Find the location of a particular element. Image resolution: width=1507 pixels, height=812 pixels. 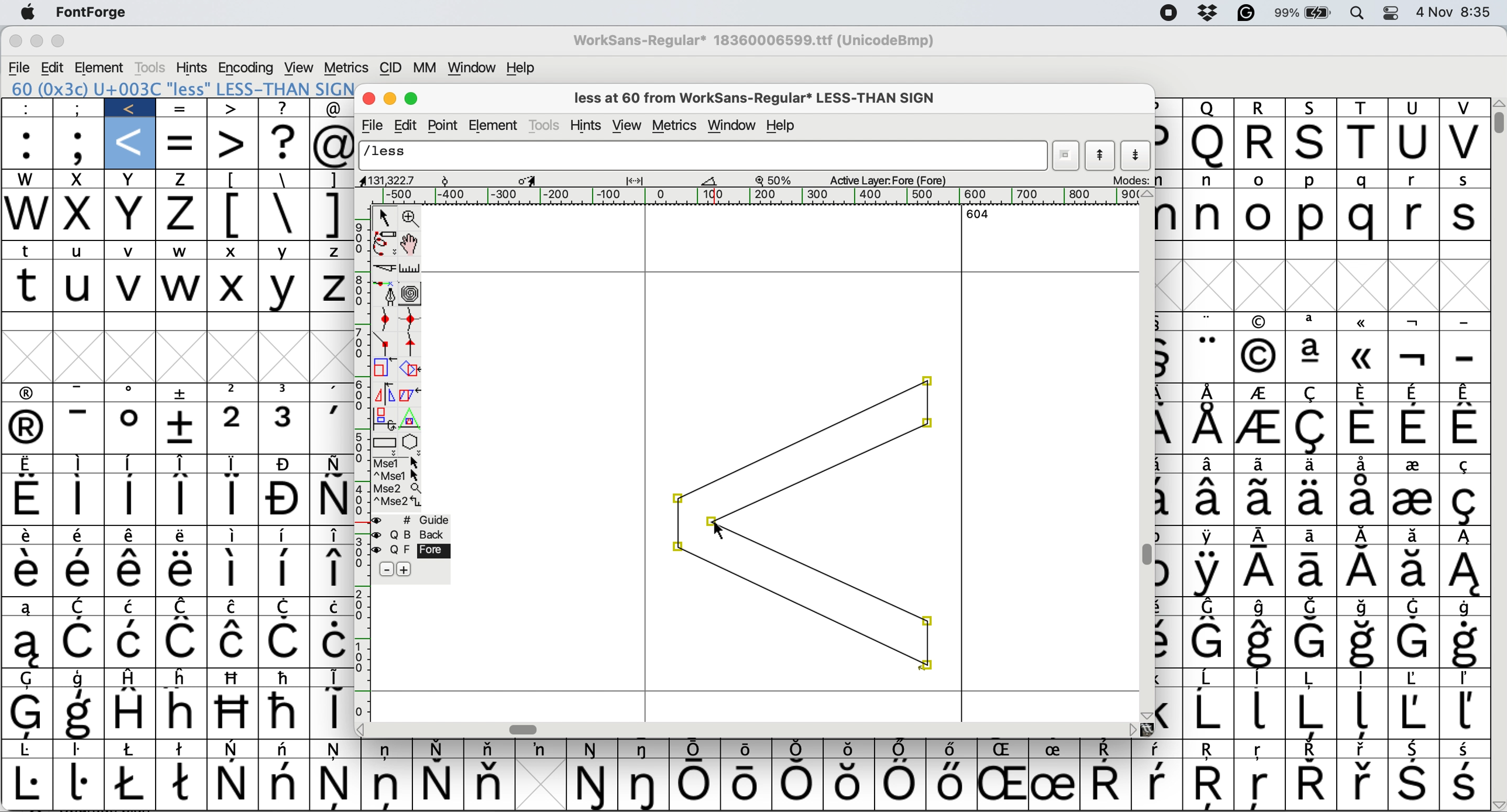

Symbol is located at coordinates (1309, 714).